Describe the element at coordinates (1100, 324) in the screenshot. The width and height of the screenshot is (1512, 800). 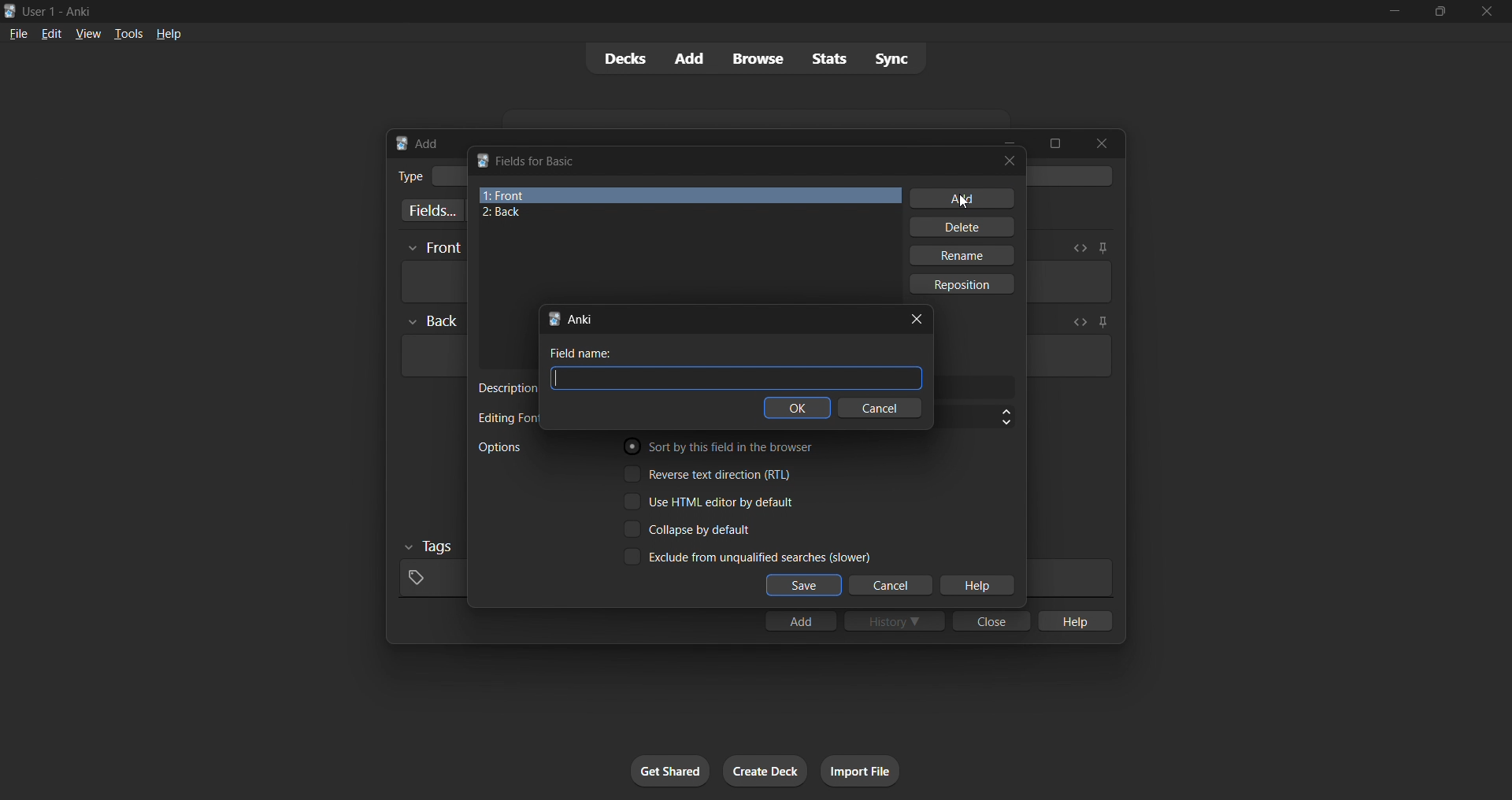
I see `Toggle sticky` at that location.